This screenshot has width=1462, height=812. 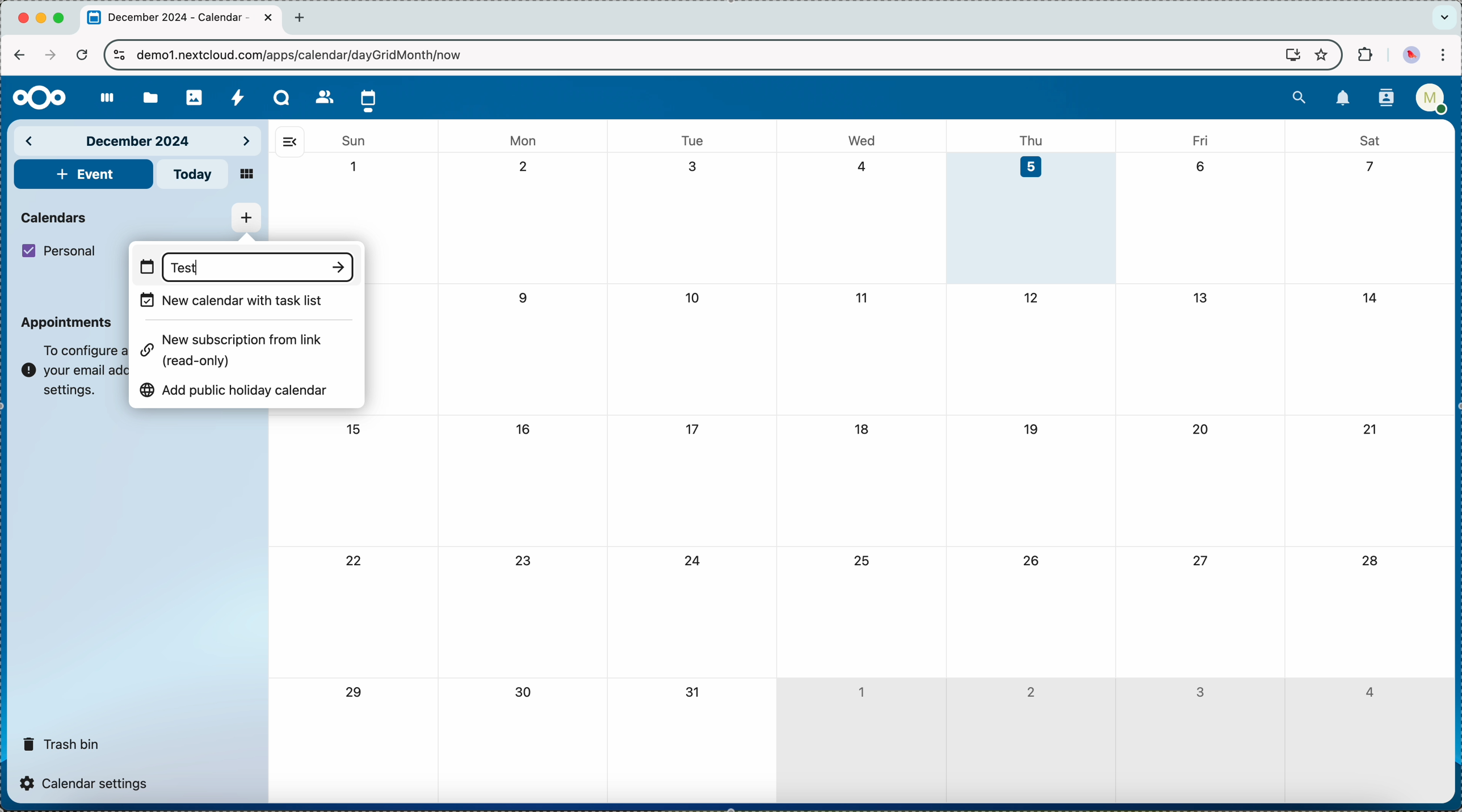 I want to click on new subscription from link, so click(x=237, y=348).